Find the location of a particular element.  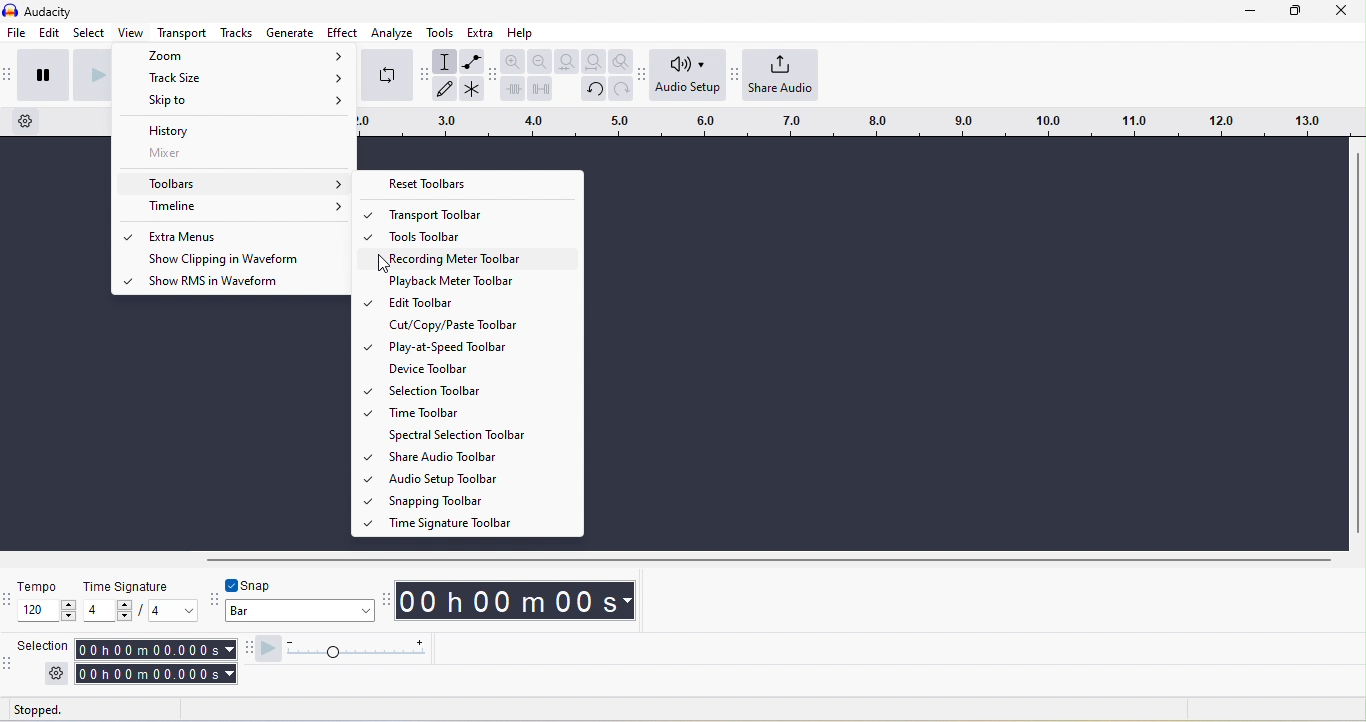

Track size is located at coordinates (235, 76).